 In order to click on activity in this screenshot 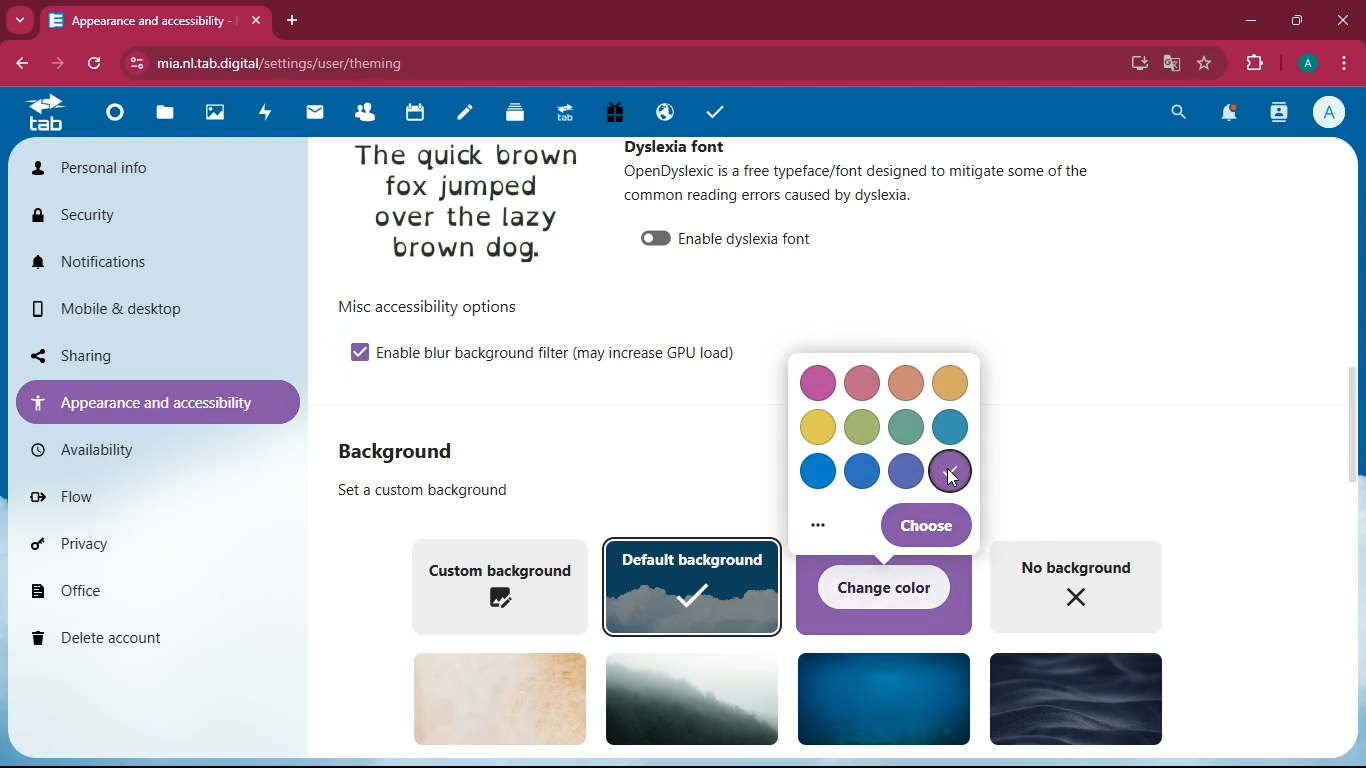, I will do `click(1281, 112)`.